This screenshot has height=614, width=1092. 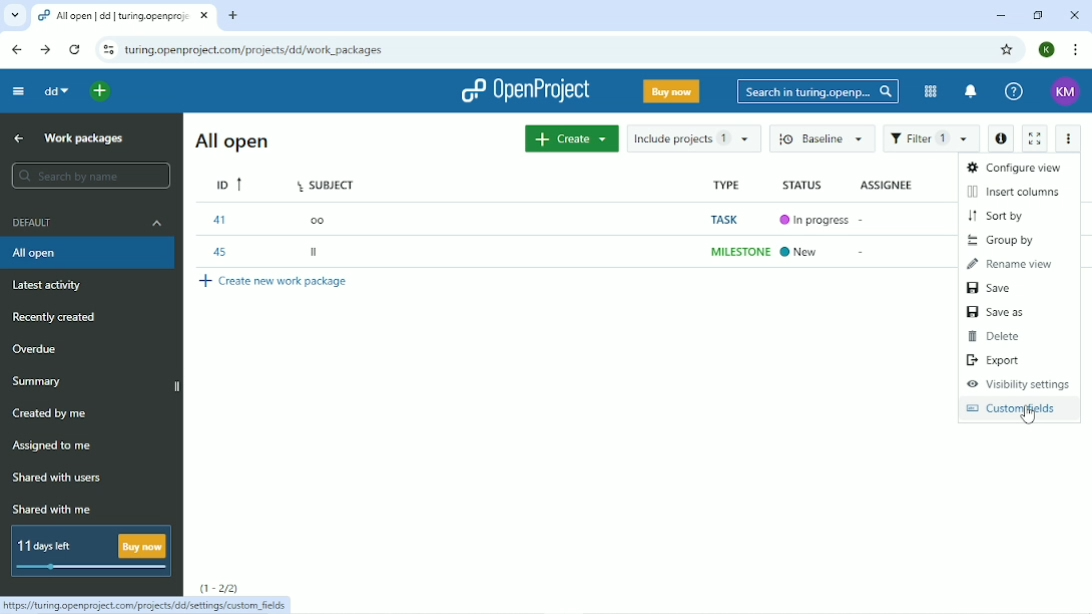 What do you see at coordinates (736, 252) in the screenshot?
I see `Milestone` at bounding box center [736, 252].